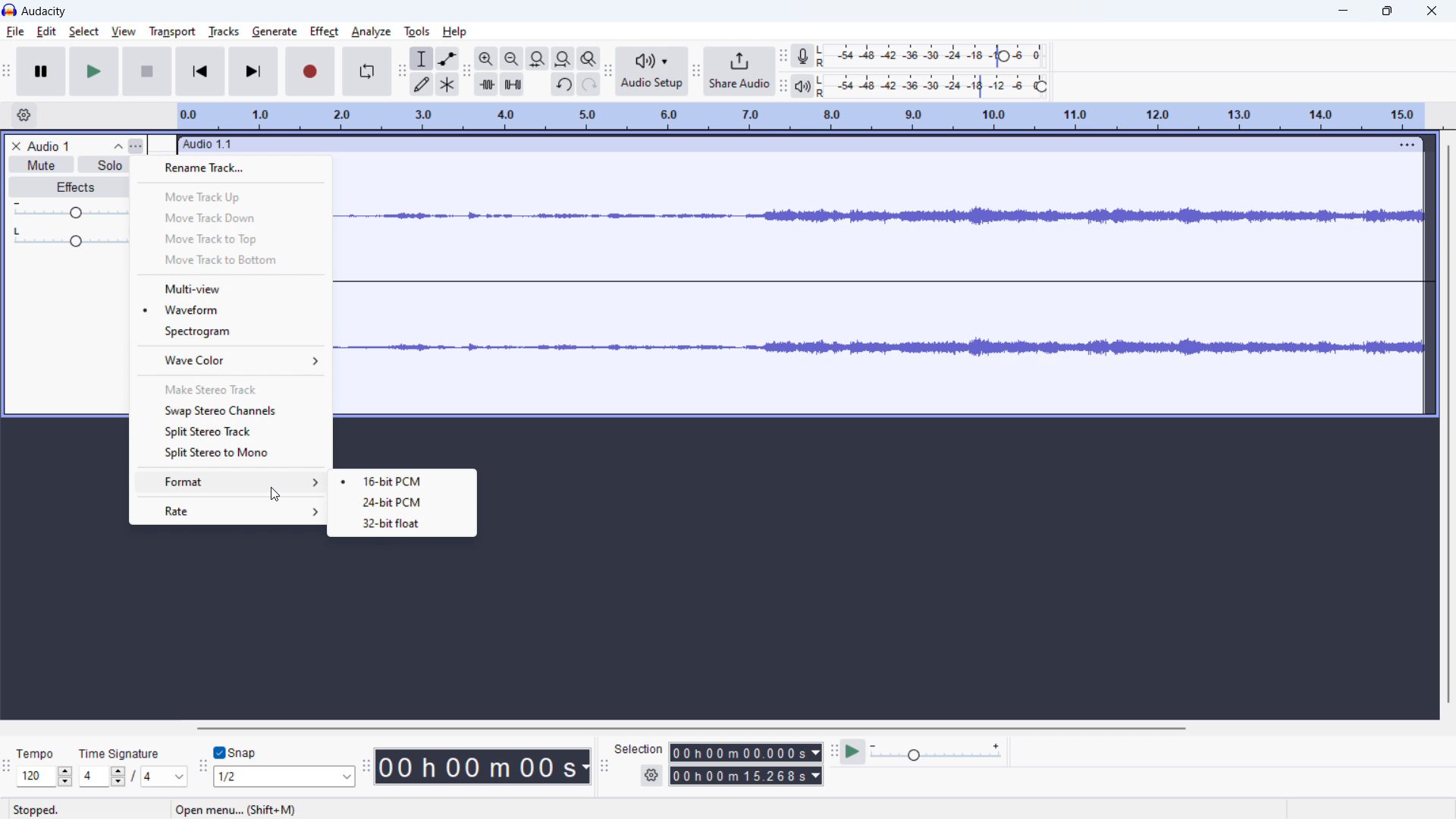 The image size is (1456, 819). I want to click on recording meter toolbar, so click(783, 55).